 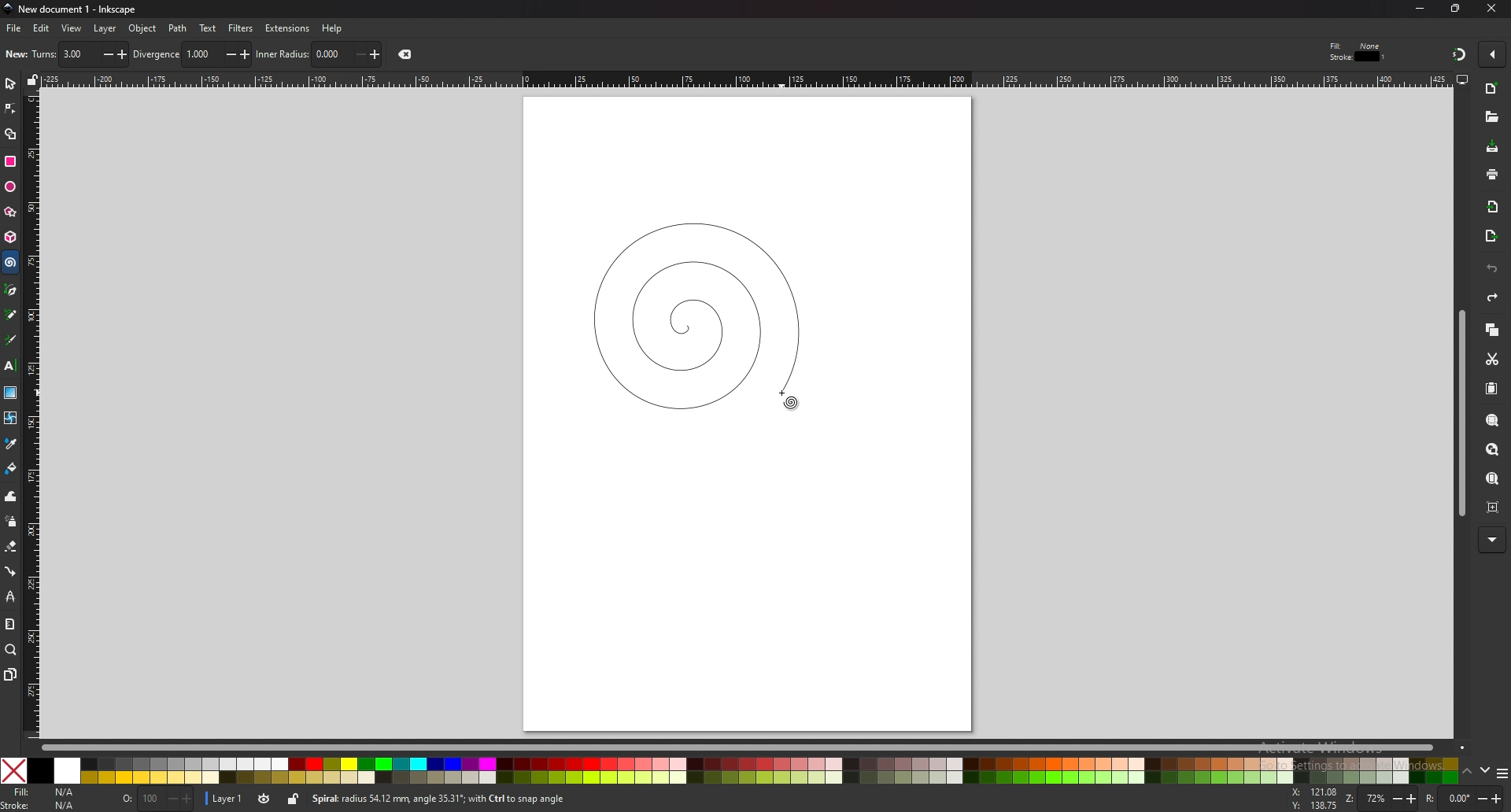 What do you see at coordinates (10, 134) in the screenshot?
I see `shape builder` at bounding box center [10, 134].